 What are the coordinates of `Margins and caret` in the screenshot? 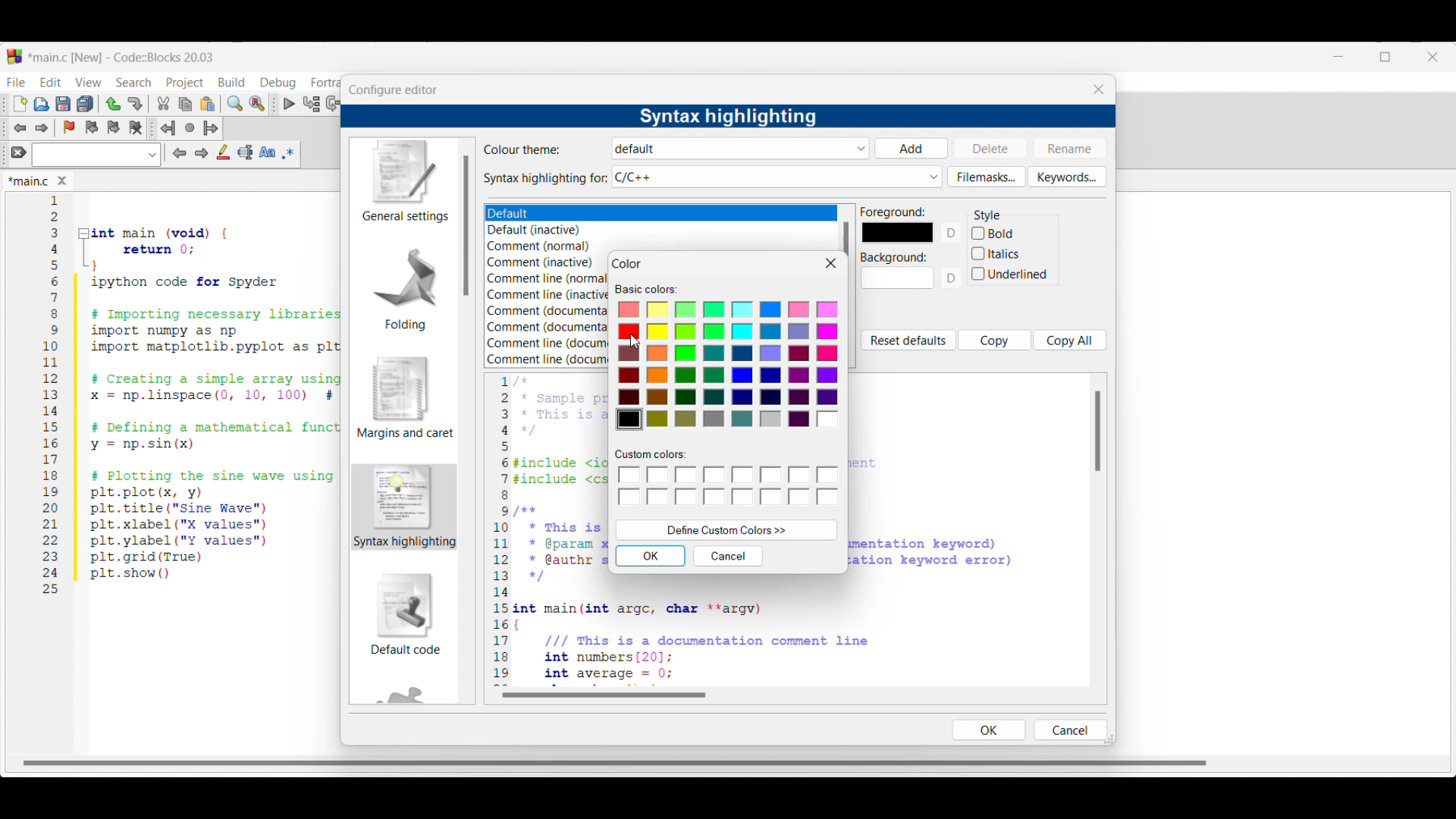 It's located at (406, 397).